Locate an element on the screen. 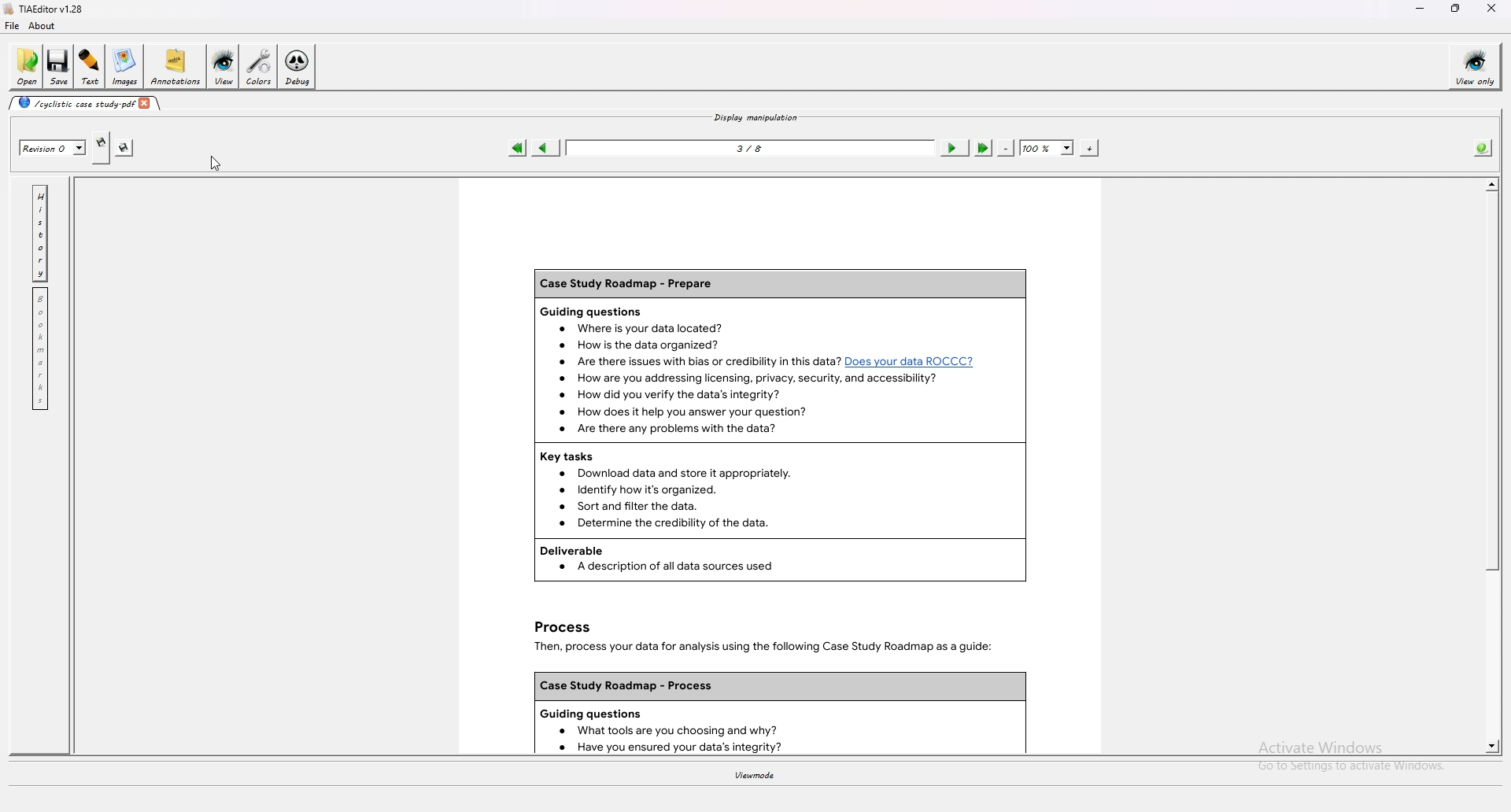 The height and width of the screenshot is (812, 1511). annotations is located at coordinates (175, 66).